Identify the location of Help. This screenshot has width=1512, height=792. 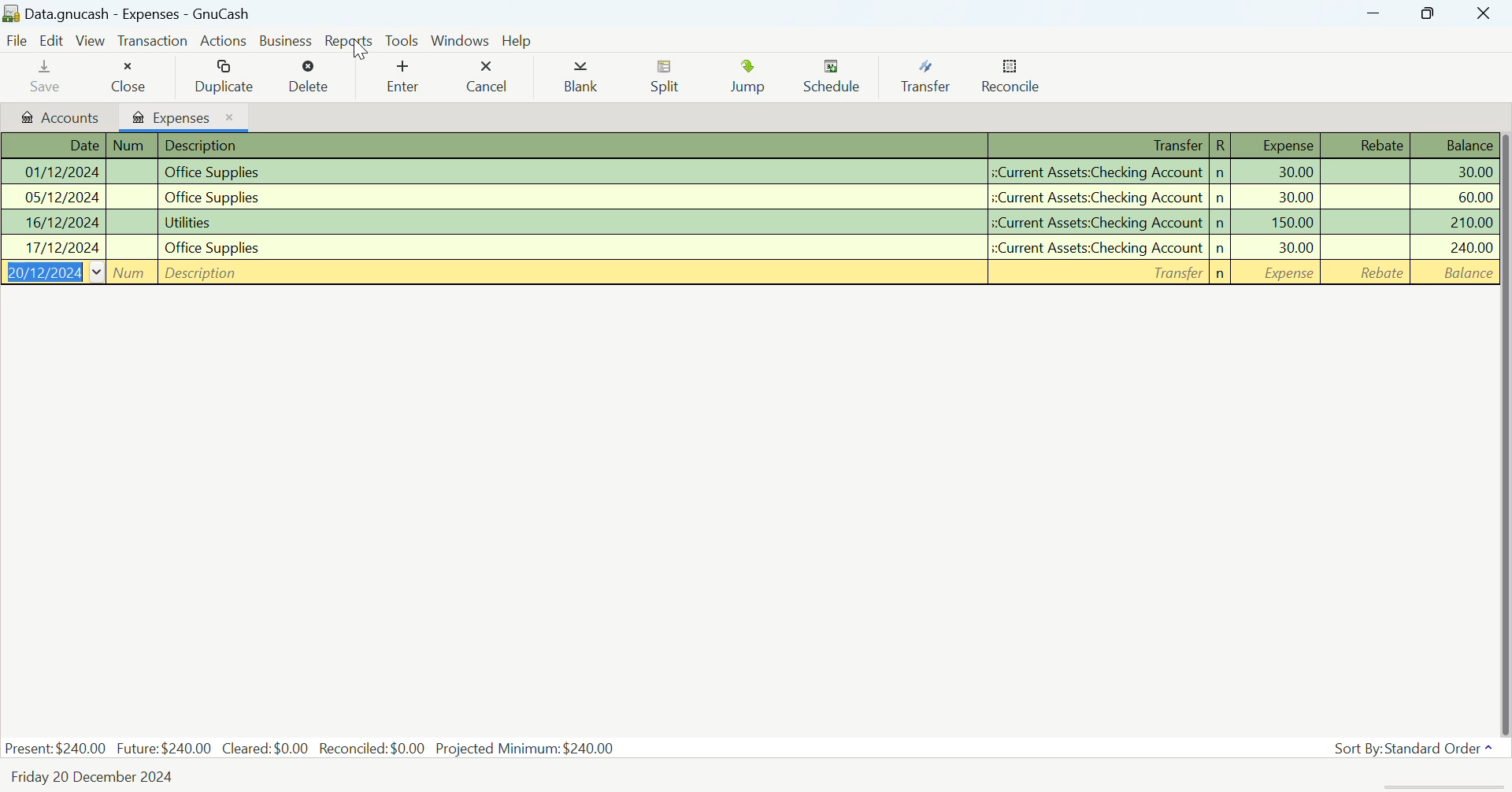
(518, 39).